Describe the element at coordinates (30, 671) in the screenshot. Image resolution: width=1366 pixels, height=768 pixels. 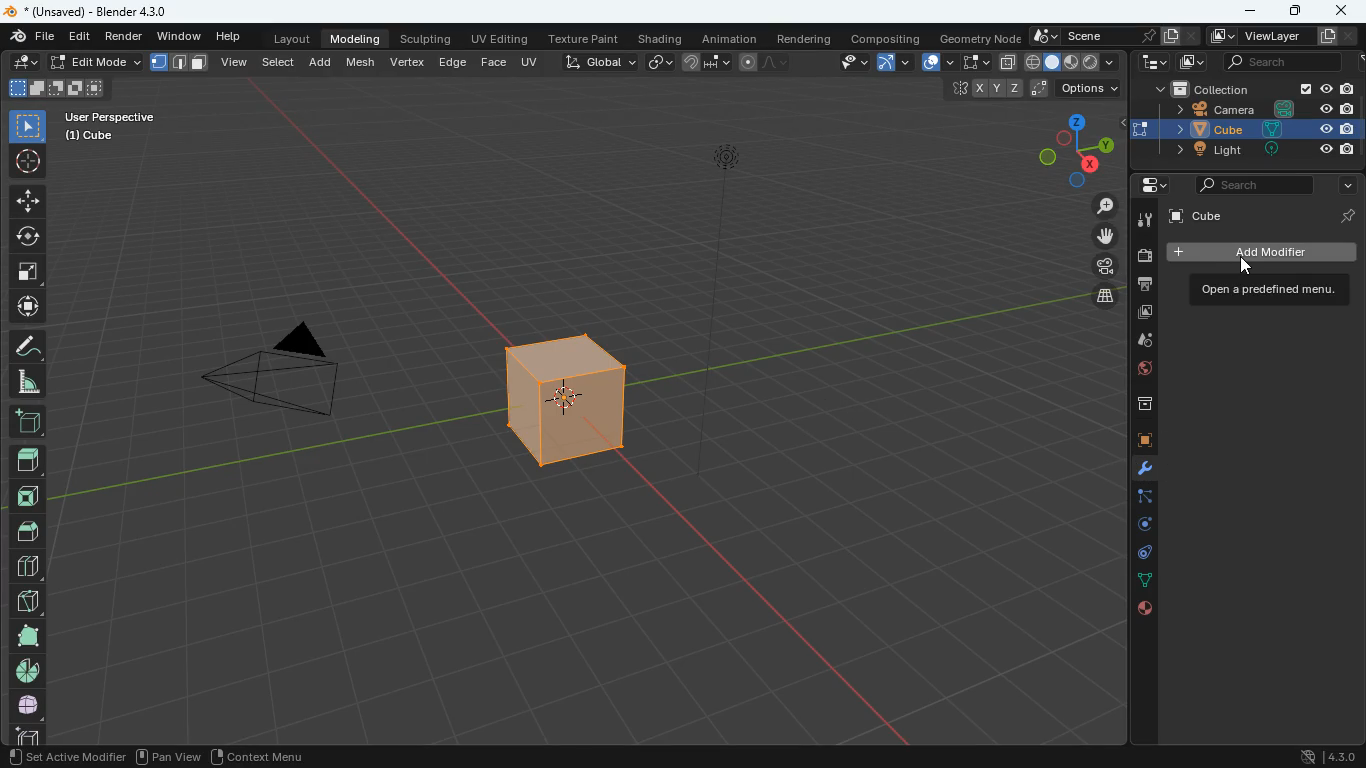
I see `pie` at that location.